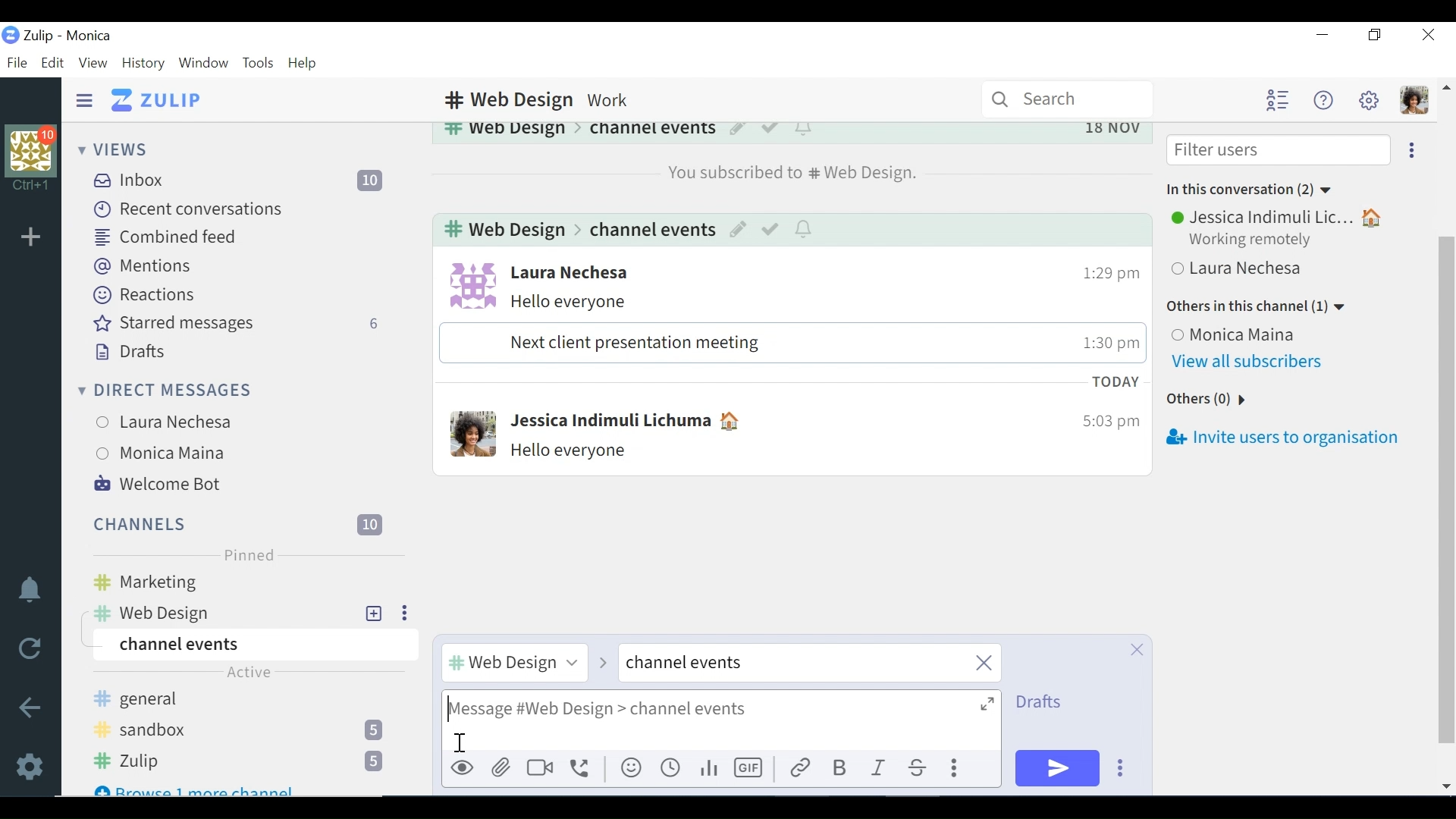  What do you see at coordinates (503, 767) in the screenshot?
I see `Upload file` at bounding box center [503, 767].